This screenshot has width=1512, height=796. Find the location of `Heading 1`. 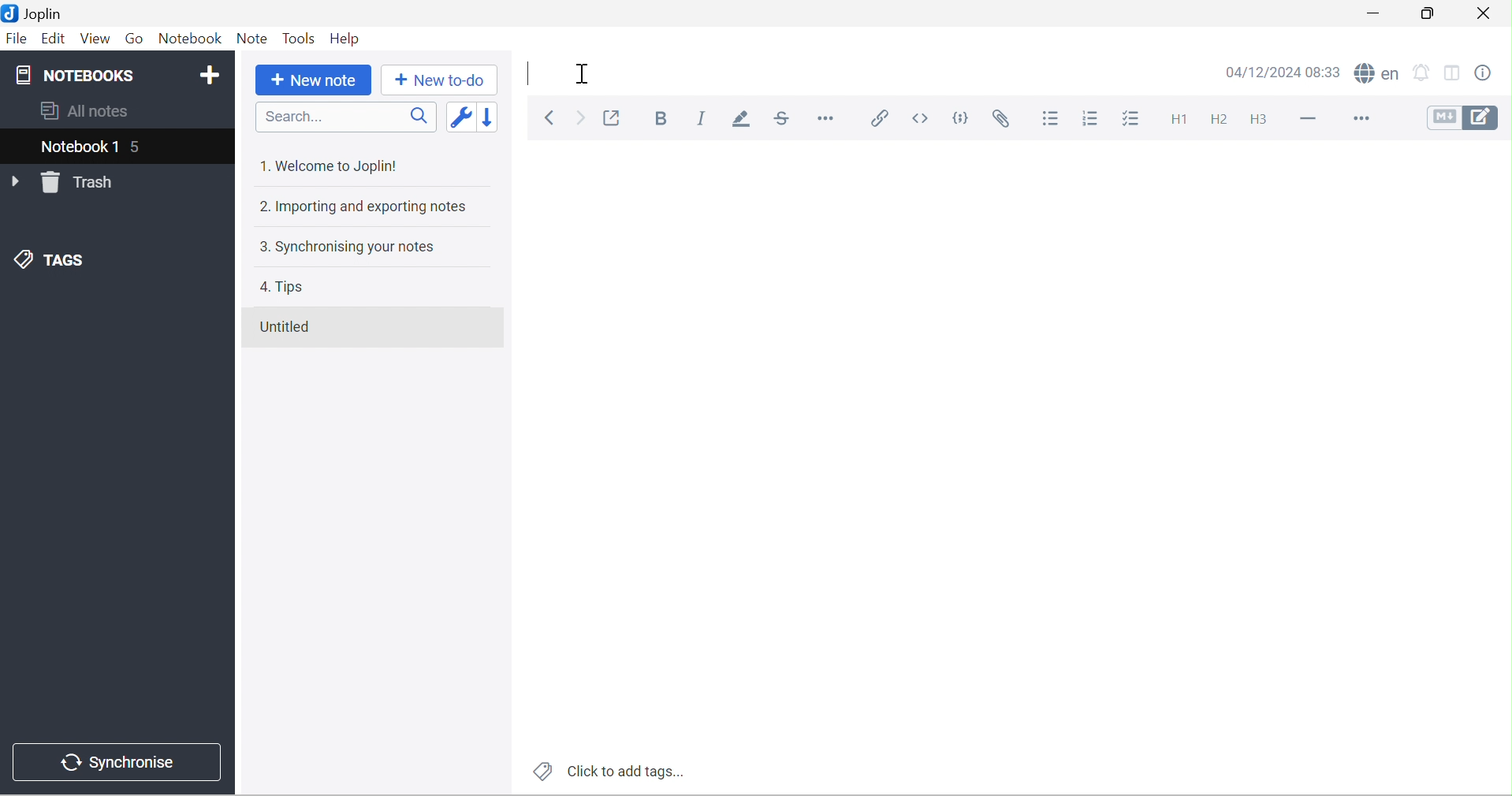

Heading 1 is located at coordinates (1185, 118).